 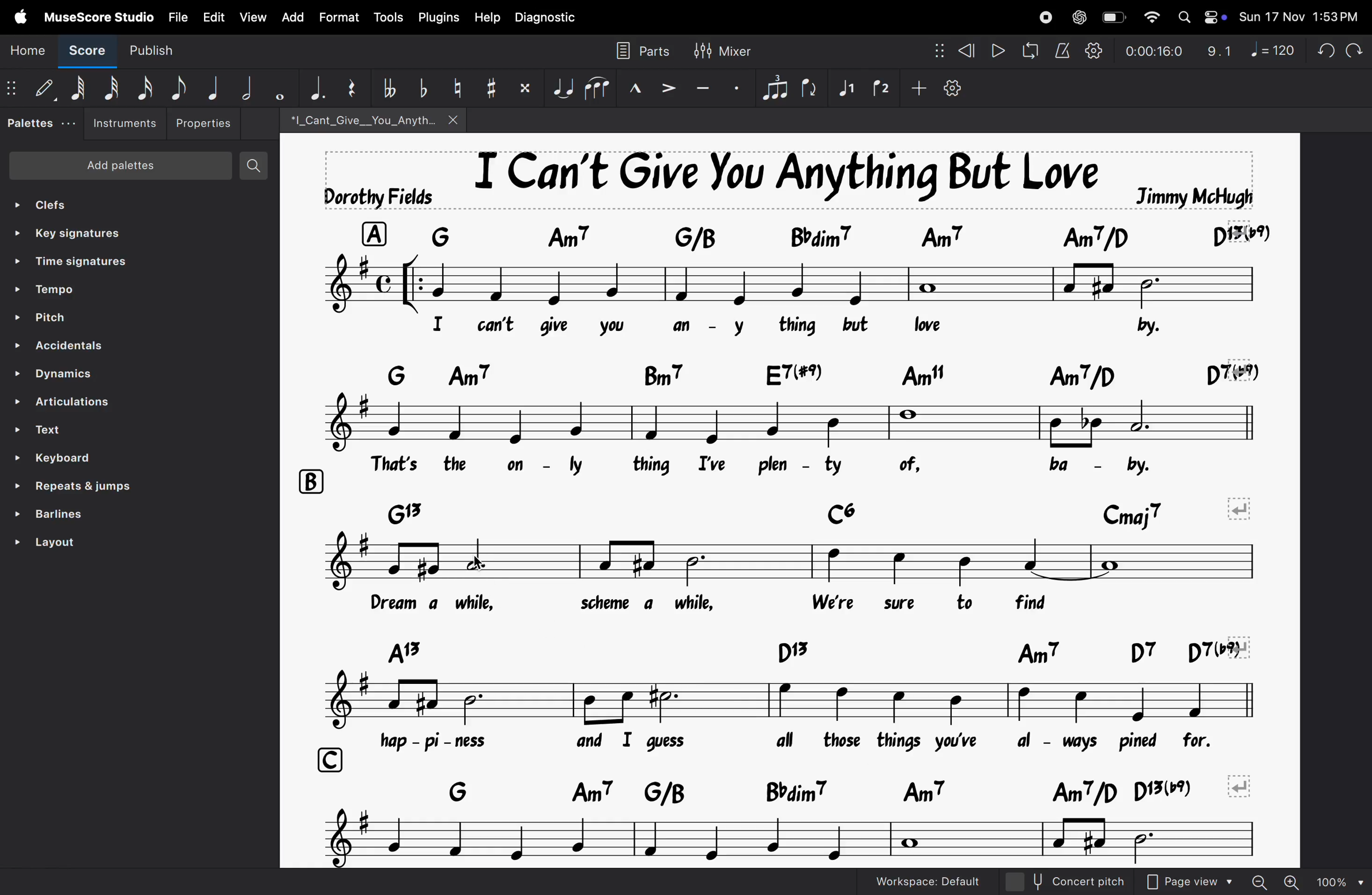 I want to click on parts, so click(x=644, y=48).